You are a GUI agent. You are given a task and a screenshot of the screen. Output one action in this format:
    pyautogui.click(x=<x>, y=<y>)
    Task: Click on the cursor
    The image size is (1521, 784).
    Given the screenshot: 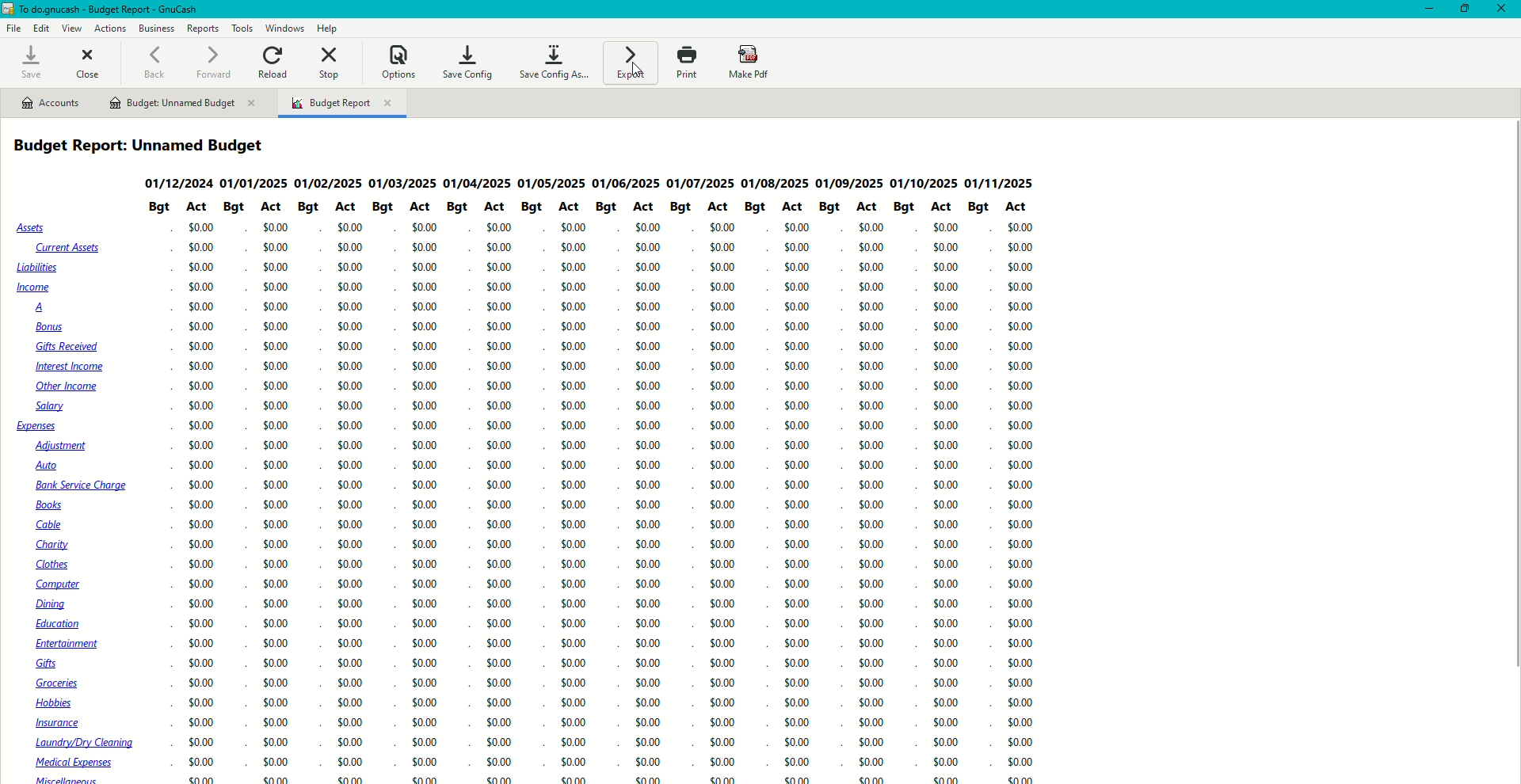 What is the action you would take?
    pyautogui.click(x=643, y=75)
    